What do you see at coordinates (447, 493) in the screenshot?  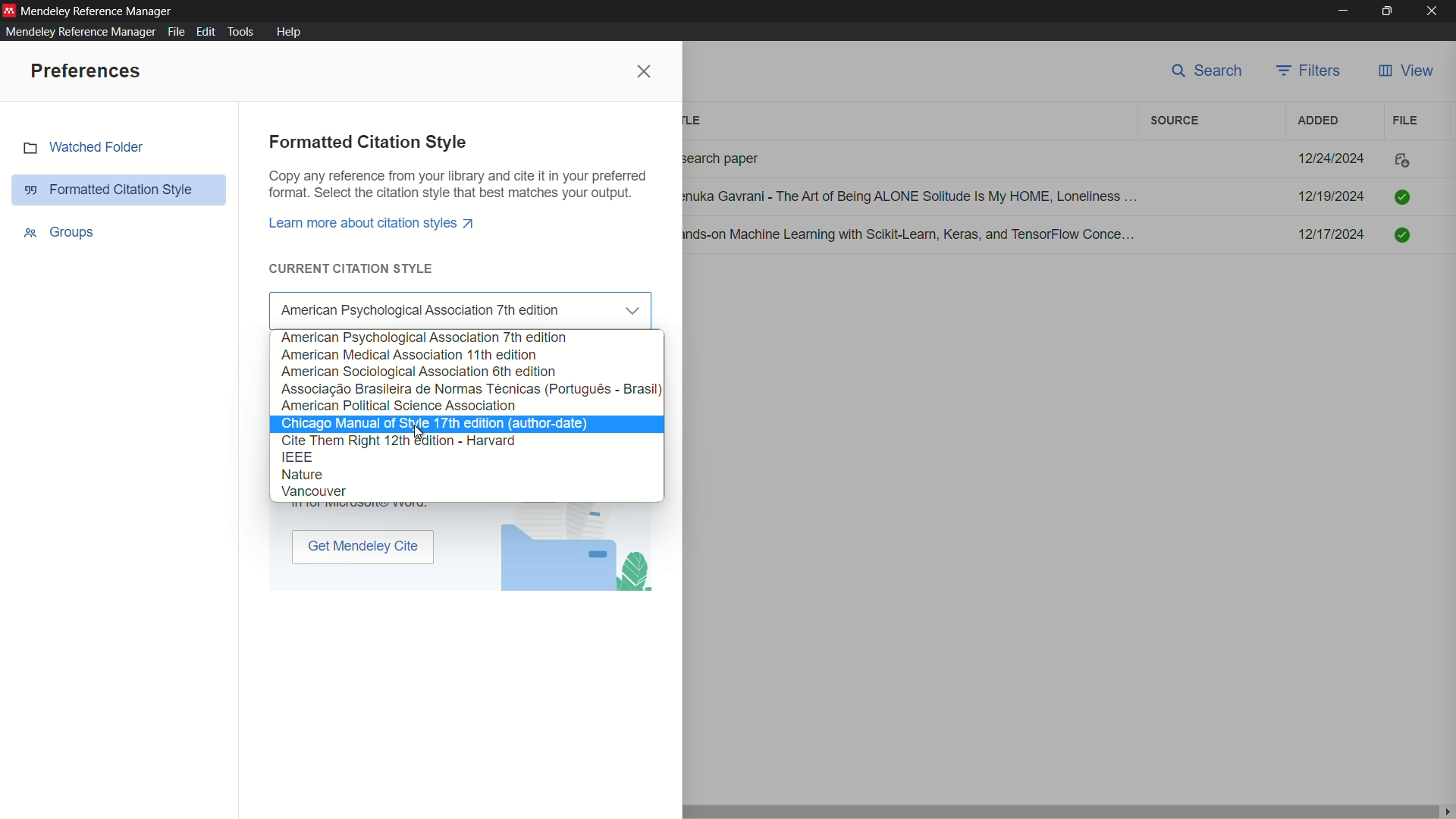 I see `citation styles` at bounding box center [447, 493].